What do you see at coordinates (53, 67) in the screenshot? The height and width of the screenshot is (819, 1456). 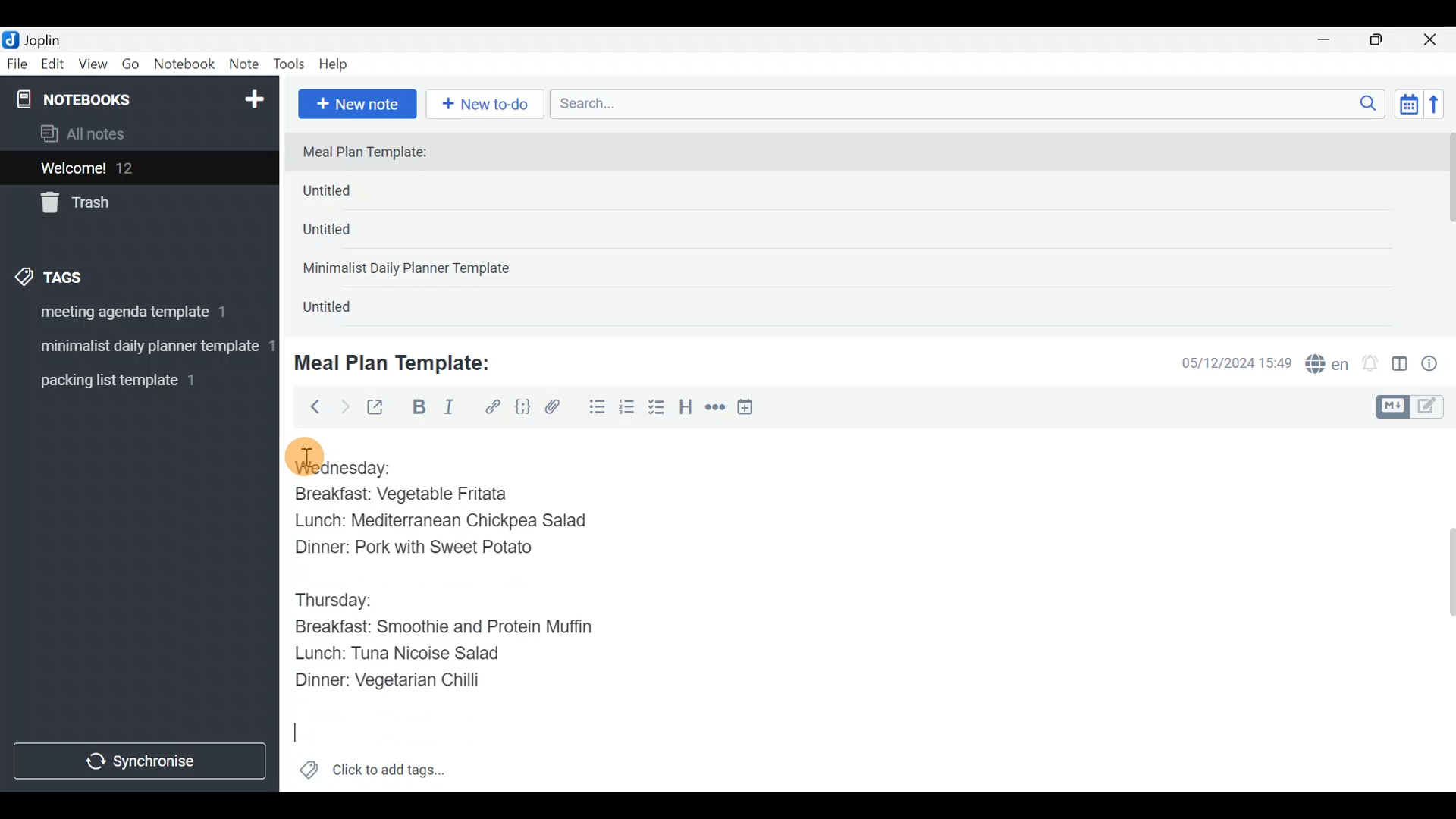 I see `Edit` at bounding box center [53, 67].